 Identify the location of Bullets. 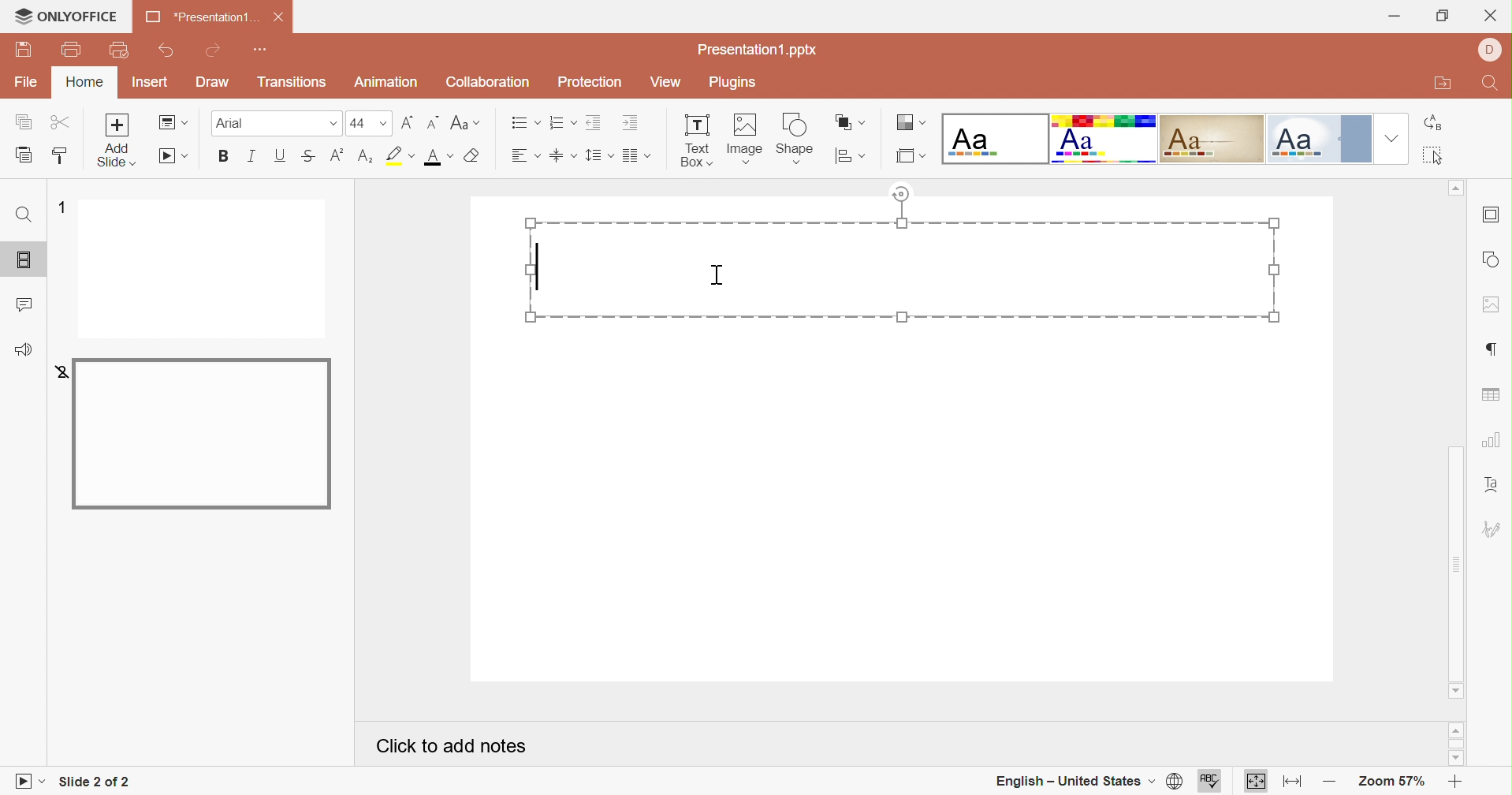
(523, 122).